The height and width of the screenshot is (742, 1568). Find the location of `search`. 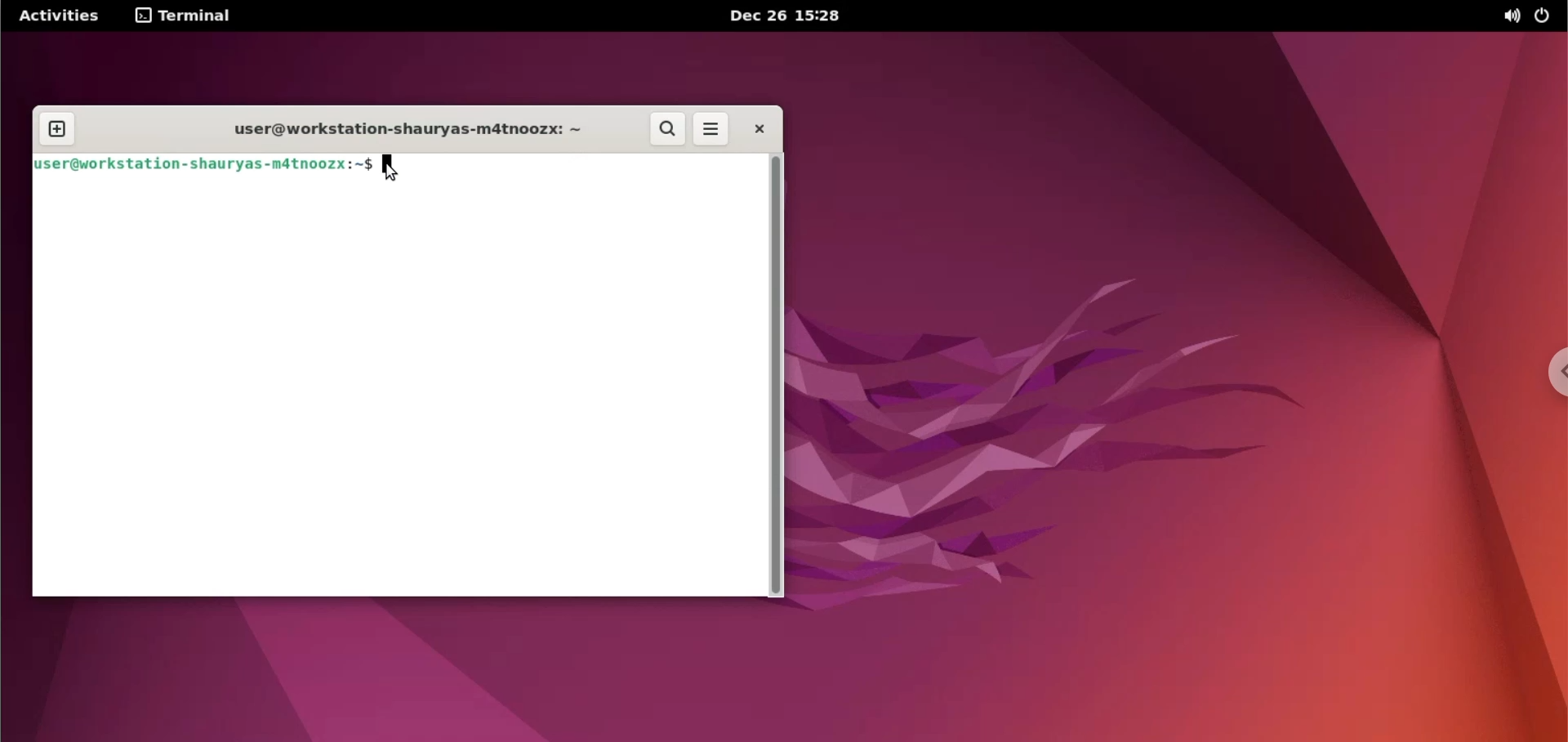

search is located at coordinates (669, 129).